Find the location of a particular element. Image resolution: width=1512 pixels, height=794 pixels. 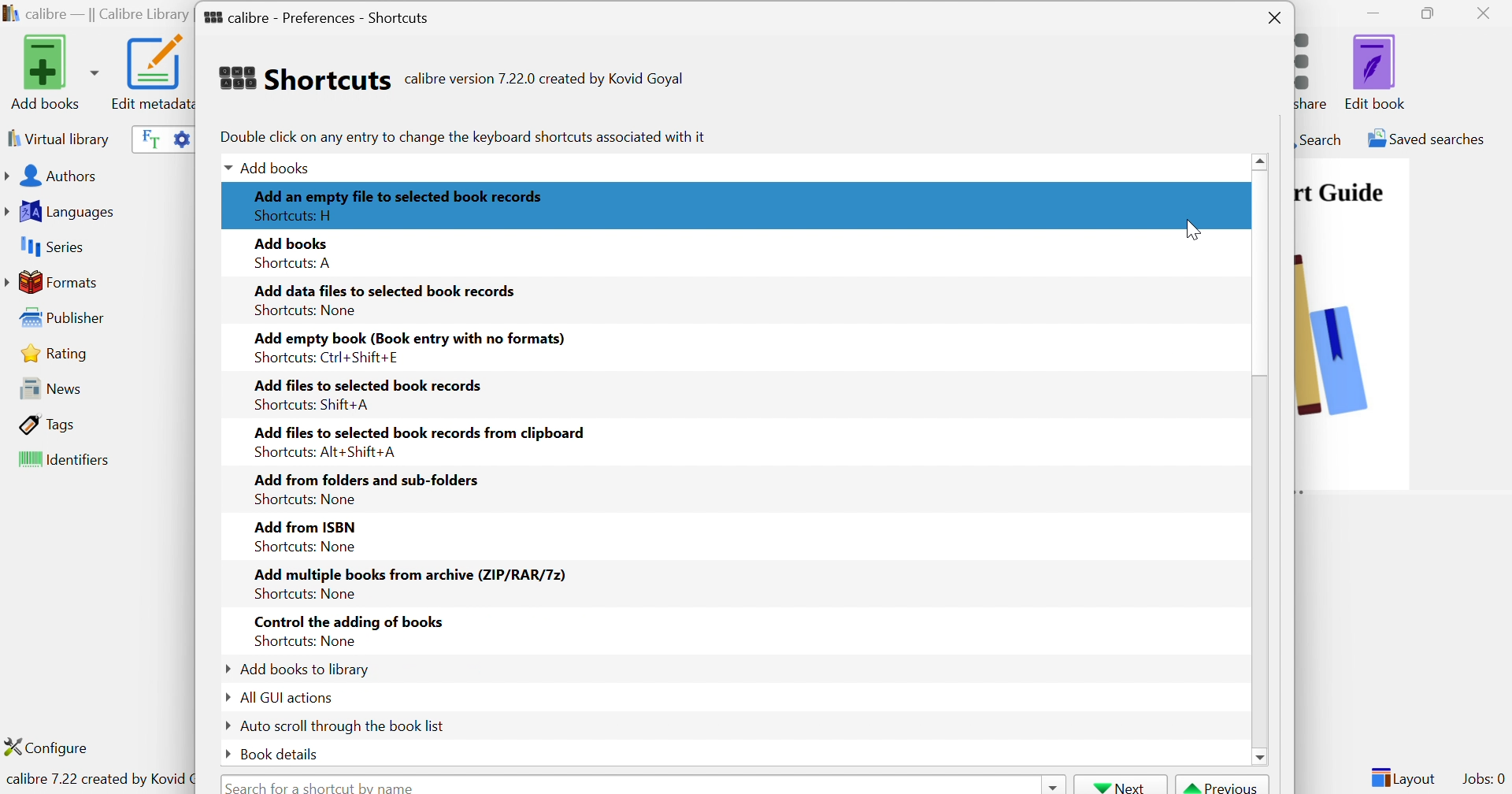

Shortcuts: Shift+A is located at coordinates (312, 406).